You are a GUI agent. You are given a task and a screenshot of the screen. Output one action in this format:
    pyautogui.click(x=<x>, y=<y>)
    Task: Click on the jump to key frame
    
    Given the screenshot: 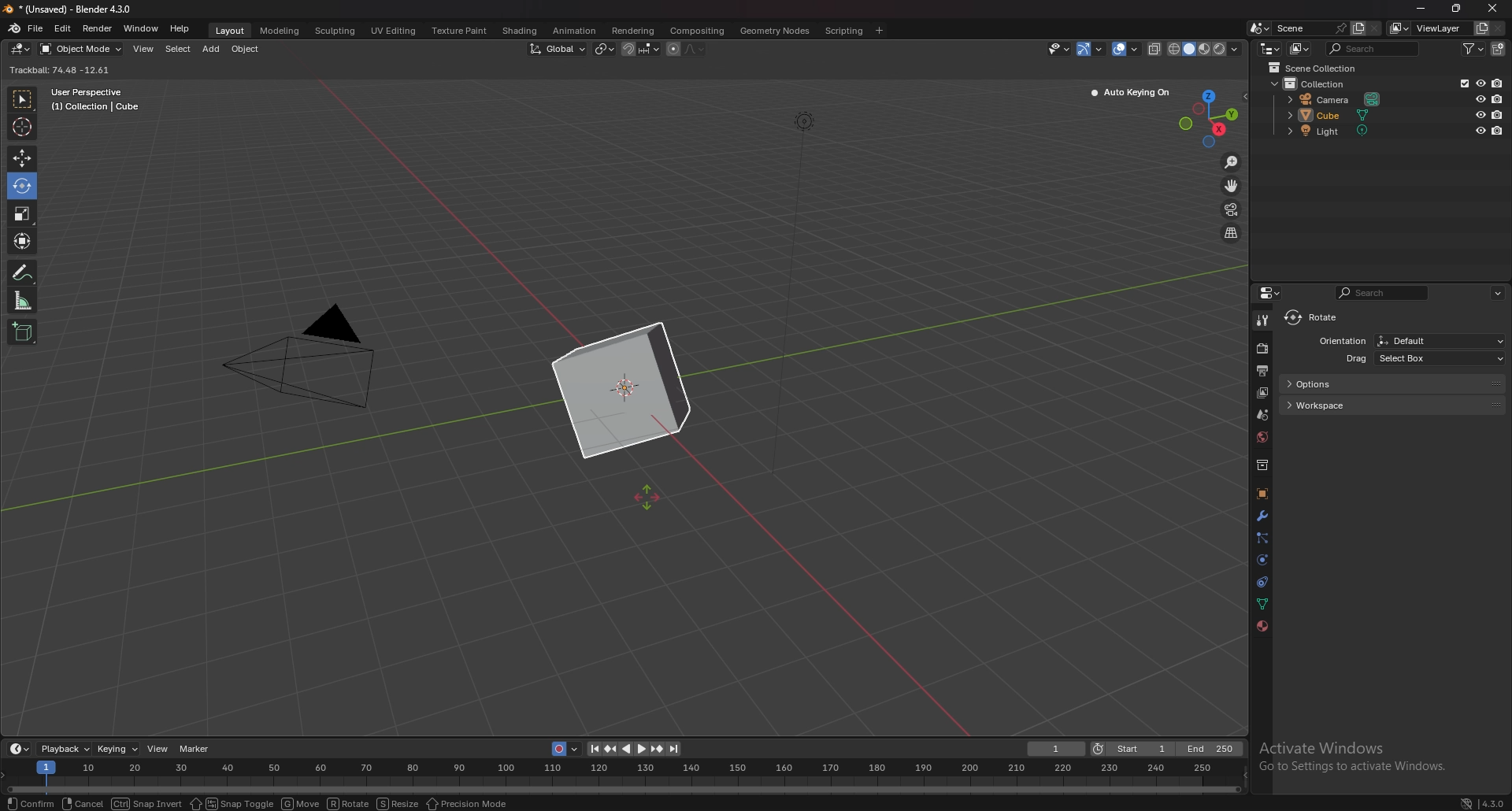 What is the action you would take?
    pyautogui.click(x=657, y=749)
    